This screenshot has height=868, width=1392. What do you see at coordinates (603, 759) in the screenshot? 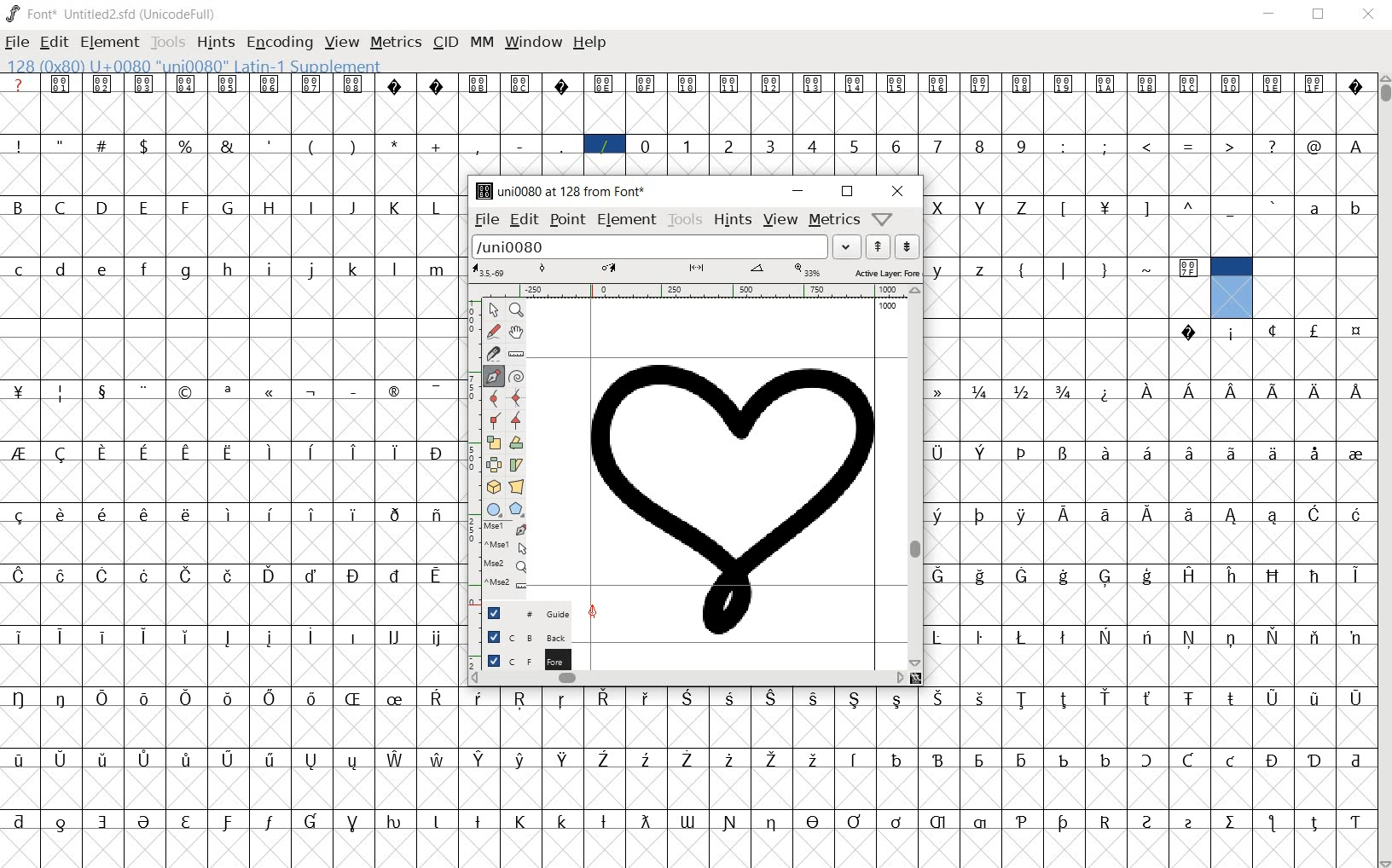
I see `glyph` at bounding box center [603, 759].